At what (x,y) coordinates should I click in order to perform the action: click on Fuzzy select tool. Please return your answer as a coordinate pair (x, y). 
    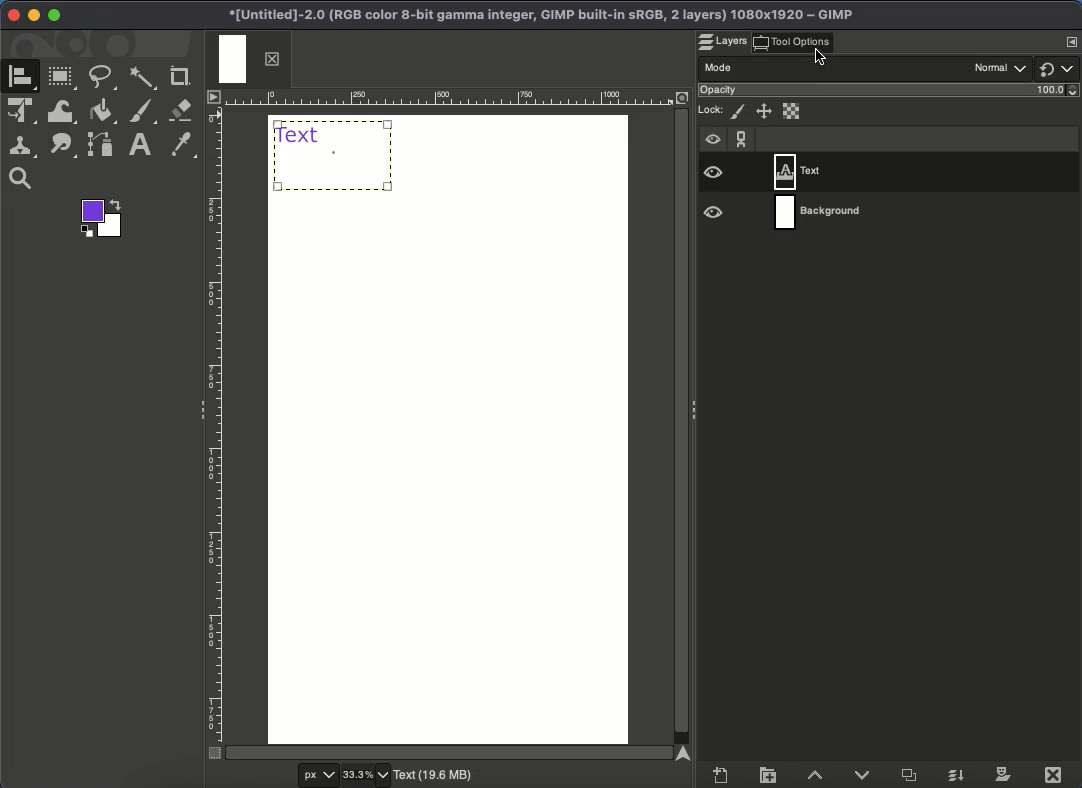
    Looking at the image, I should click on (145, 77).